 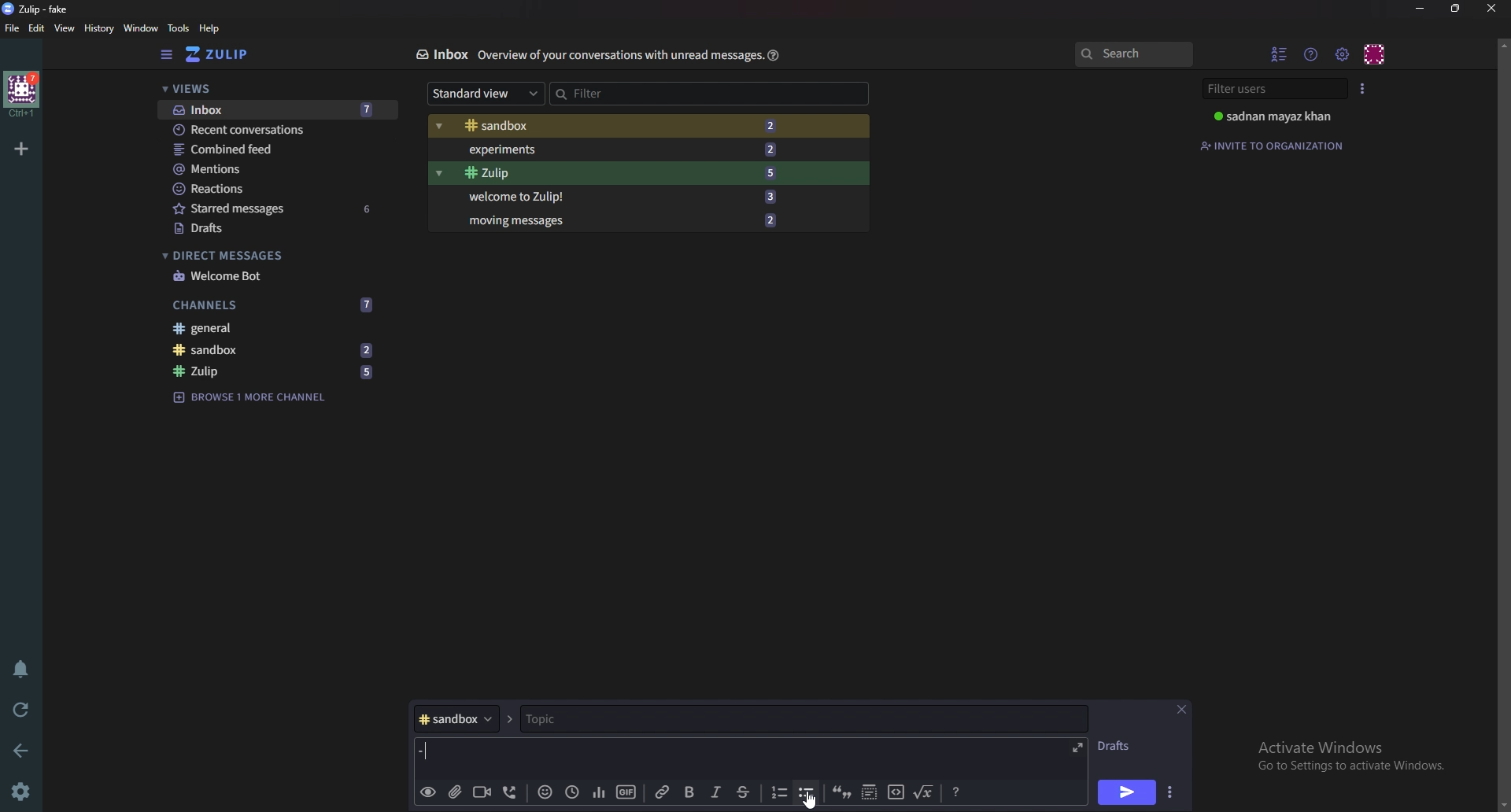 I want to click on User list style, so click(x=1362, y=88).